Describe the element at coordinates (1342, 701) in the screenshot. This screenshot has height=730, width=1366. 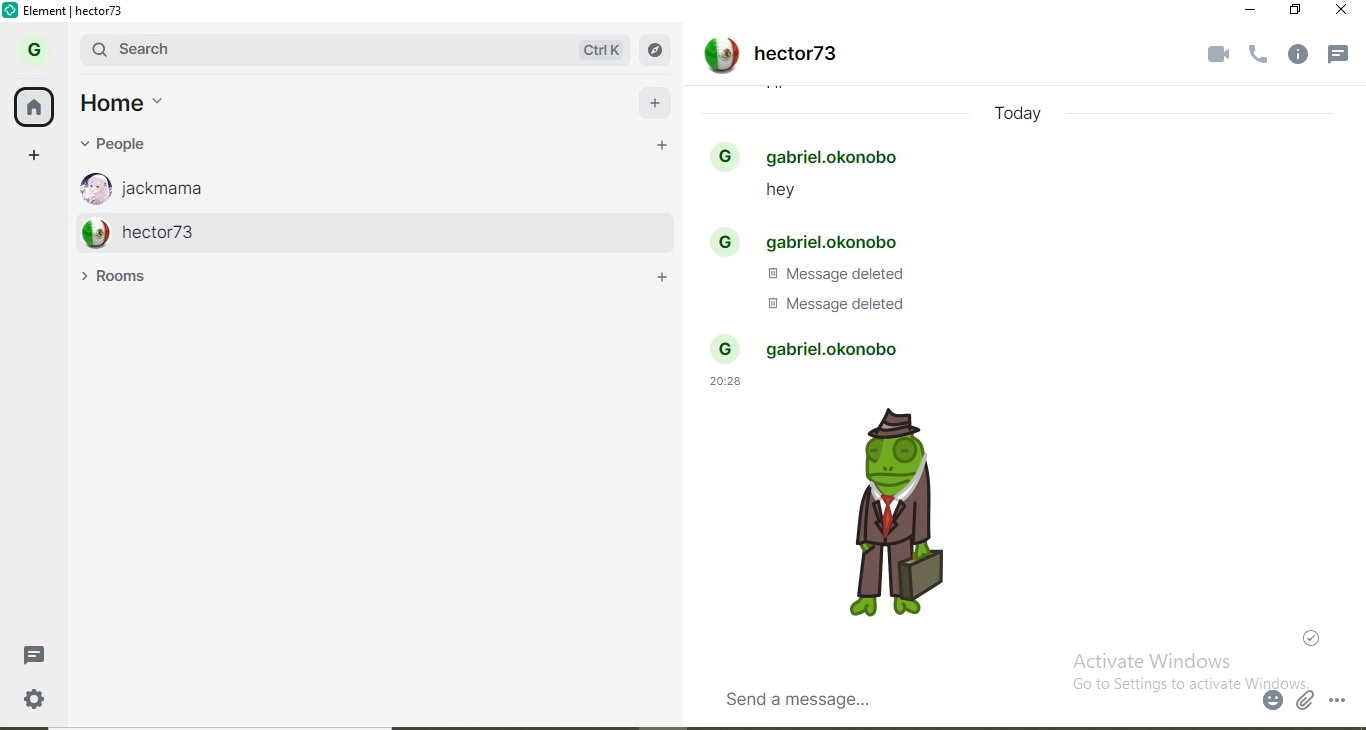
I see `option` at that location.